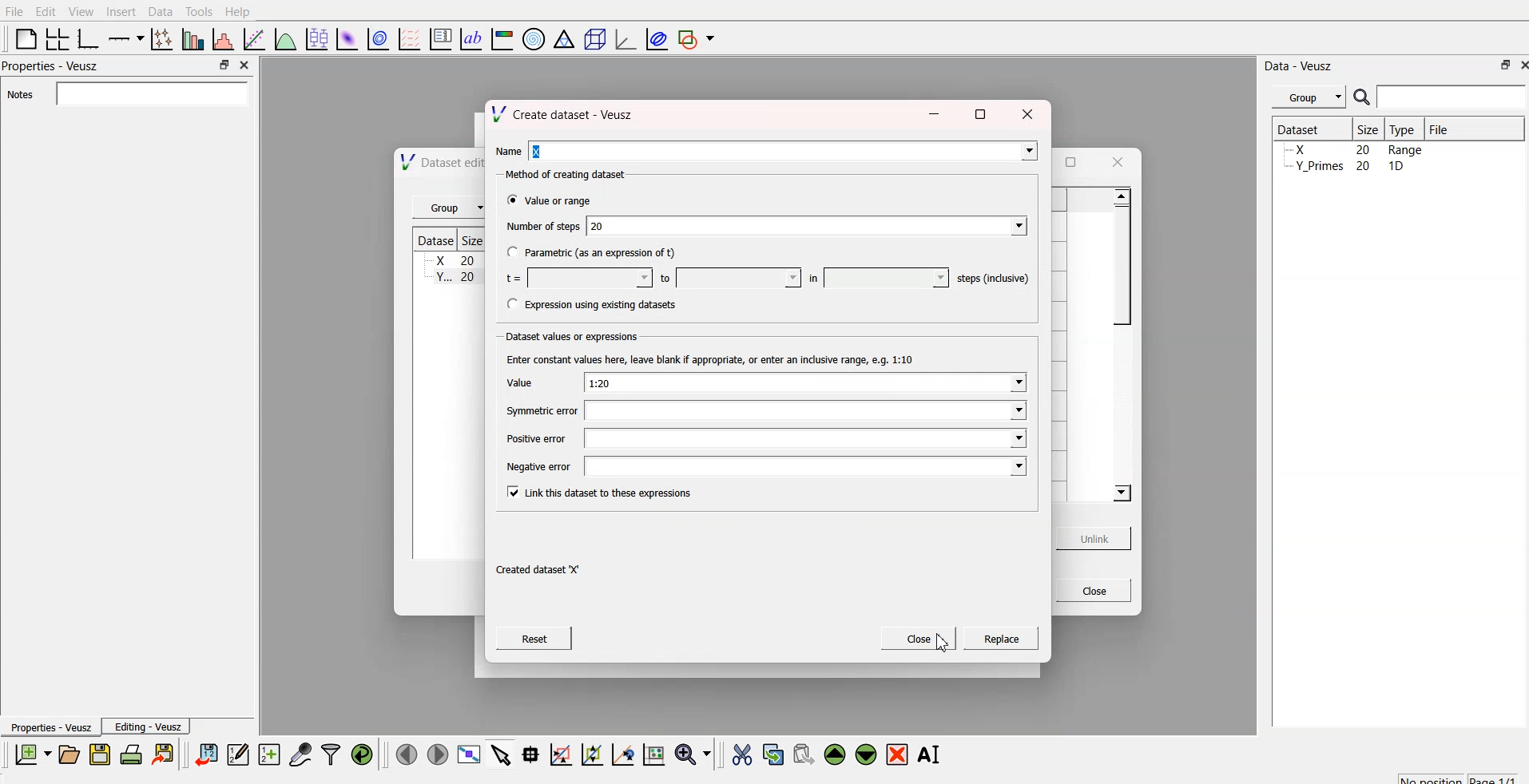 The height and width of the screenshot is (784, 1529). Describe the element at coordinates (133, 755) in the screenshot. I see `print document` at that location.